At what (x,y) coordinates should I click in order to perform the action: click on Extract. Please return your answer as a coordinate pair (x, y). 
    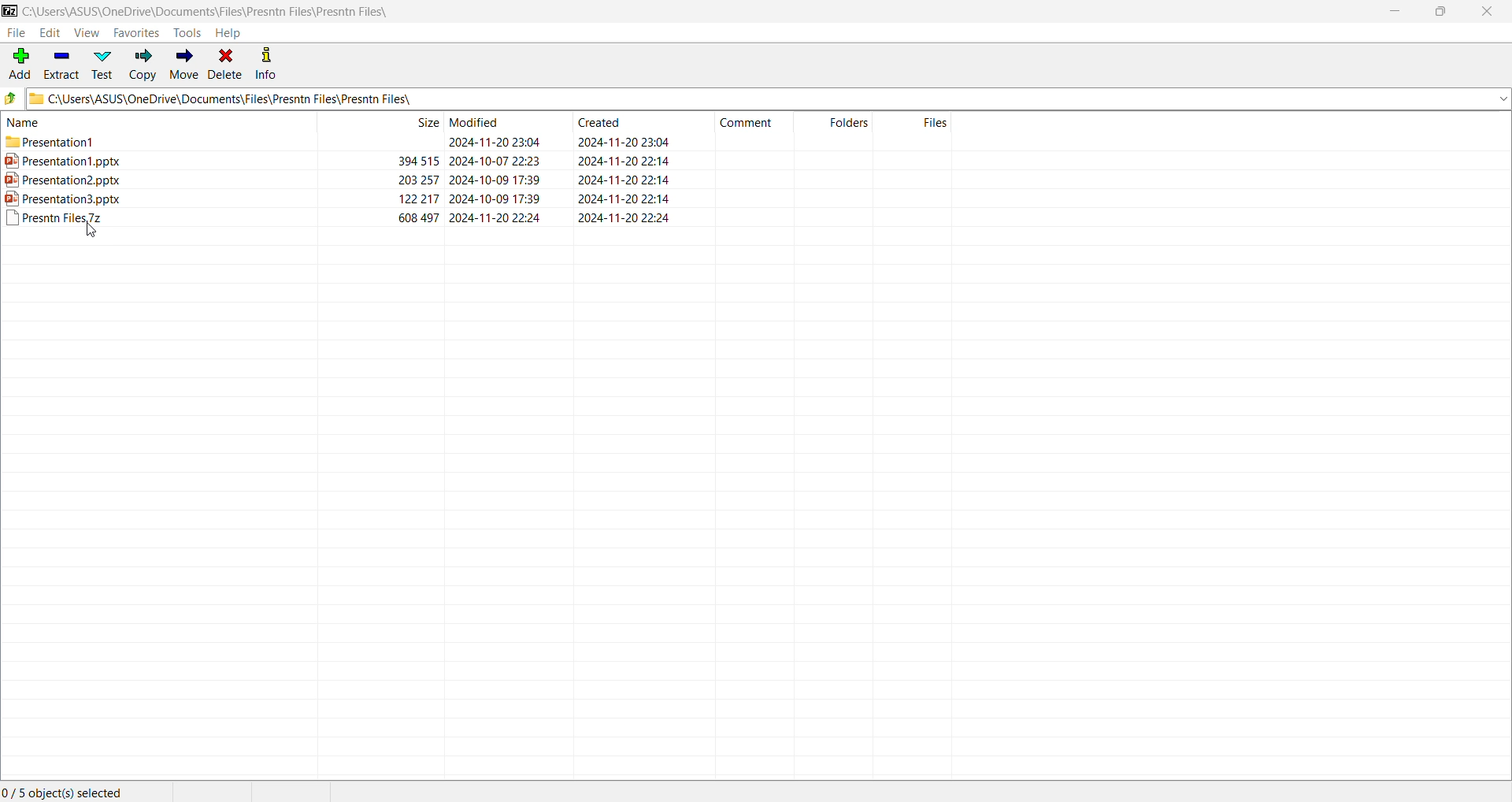
    Looking at the image, I should click on (62, 66).